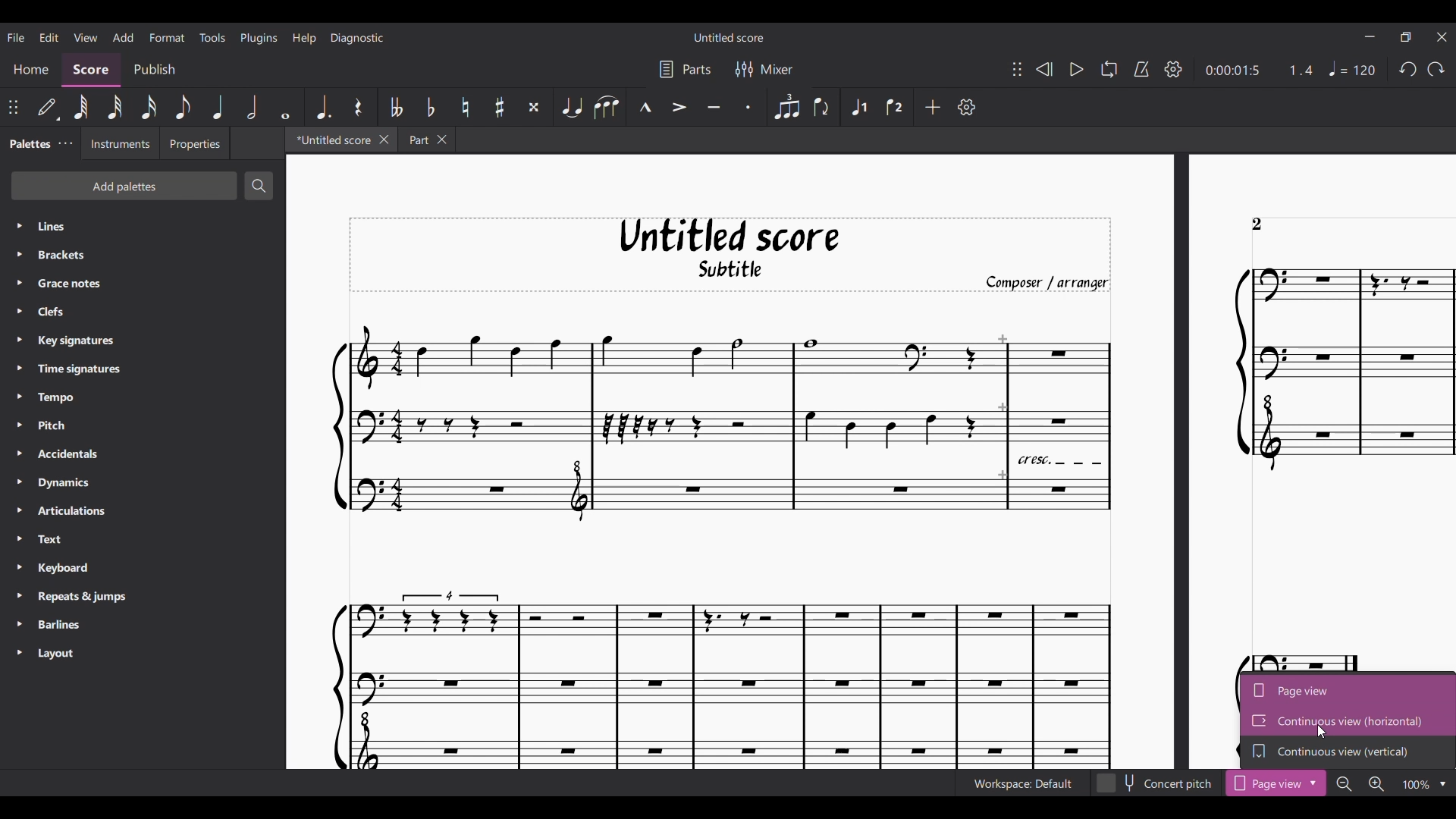 This screenshot has height=819, width=1456. I want to click on Help menu, so click(304, 38).